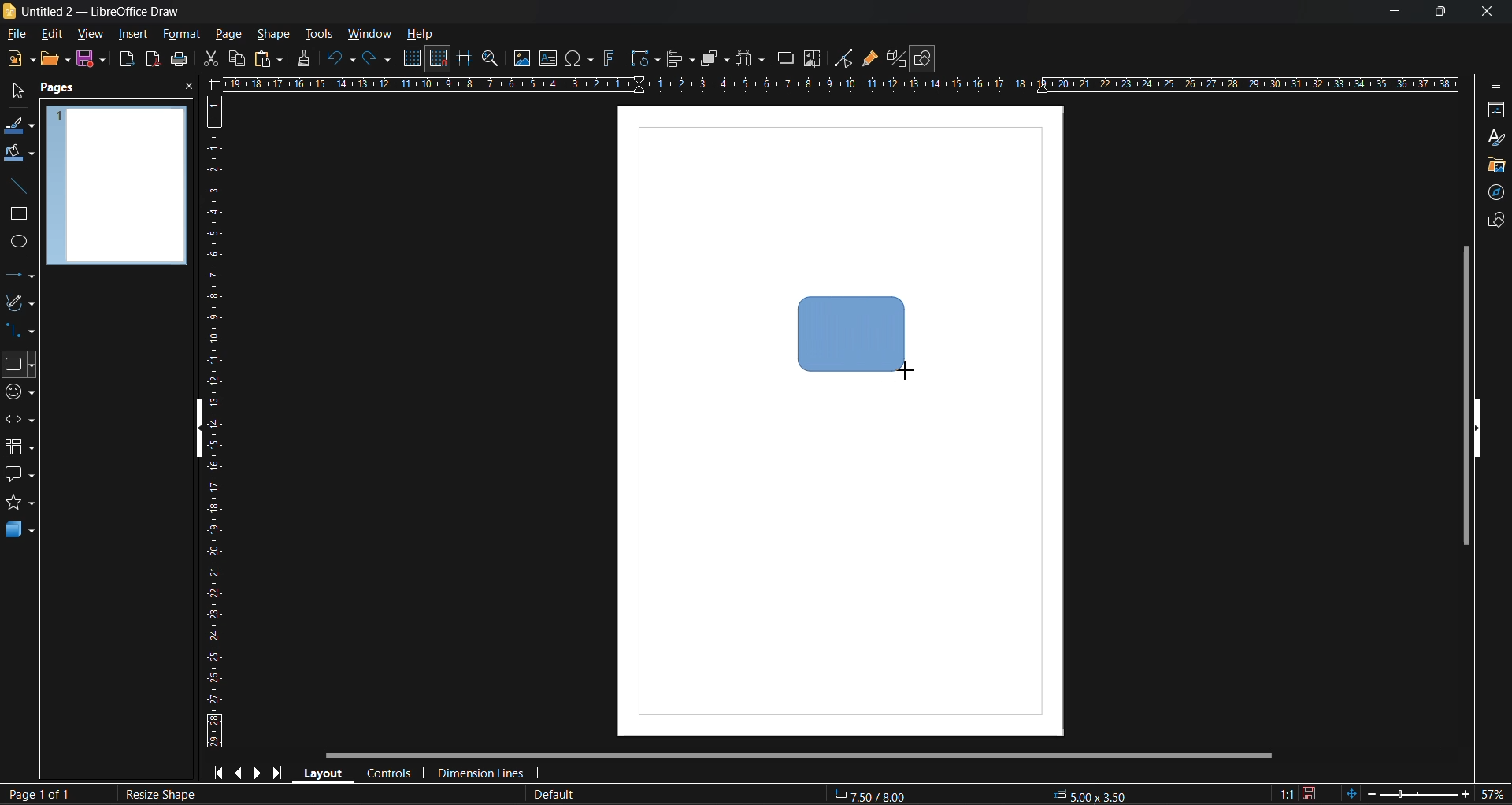 The image size is (1512, 805). I want to click on rounded rectangle, so click(850, 331).